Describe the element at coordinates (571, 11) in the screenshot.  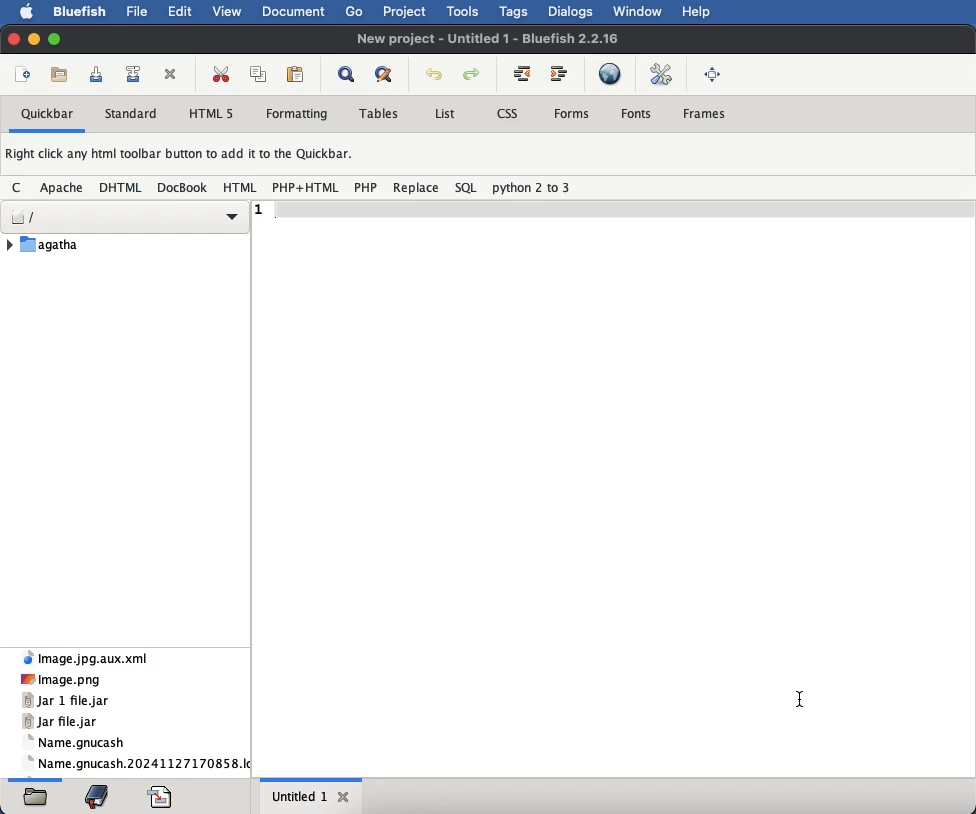
I see `dialogs` at that location.